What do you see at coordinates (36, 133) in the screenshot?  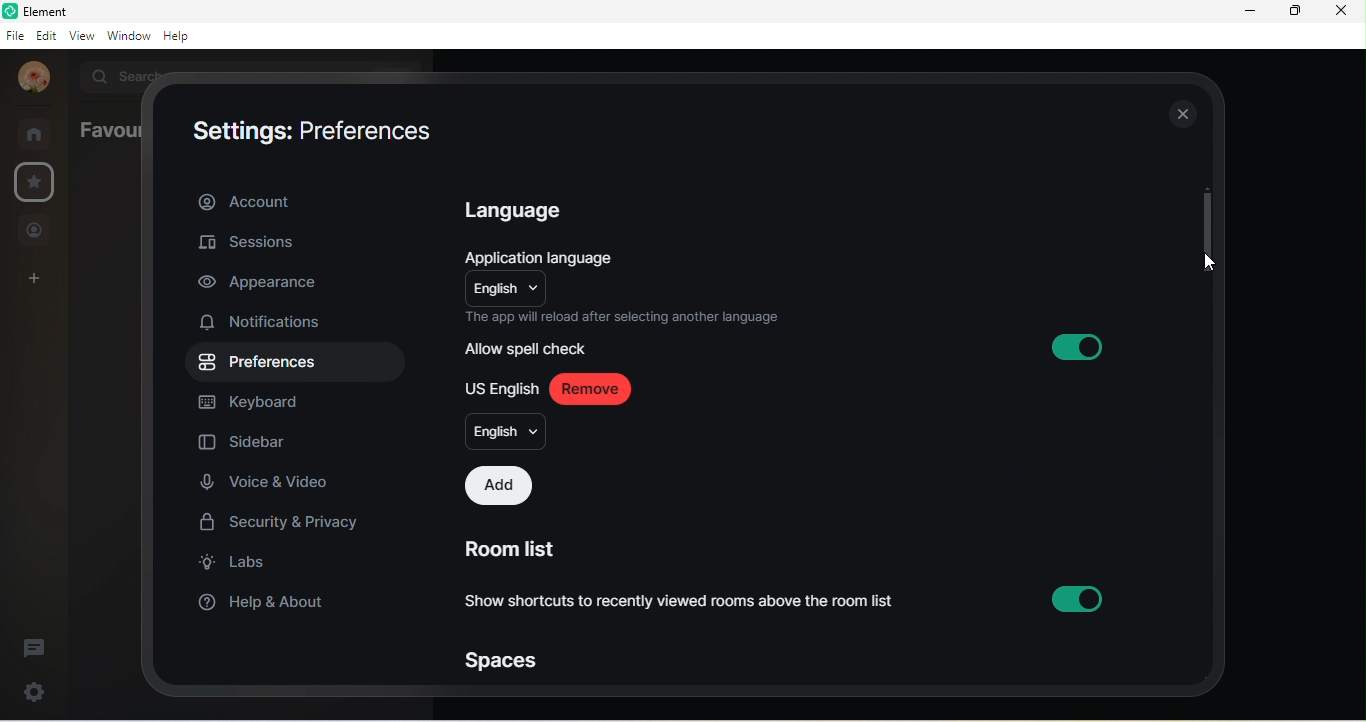 I see `home` at bounding box center [36, 133].